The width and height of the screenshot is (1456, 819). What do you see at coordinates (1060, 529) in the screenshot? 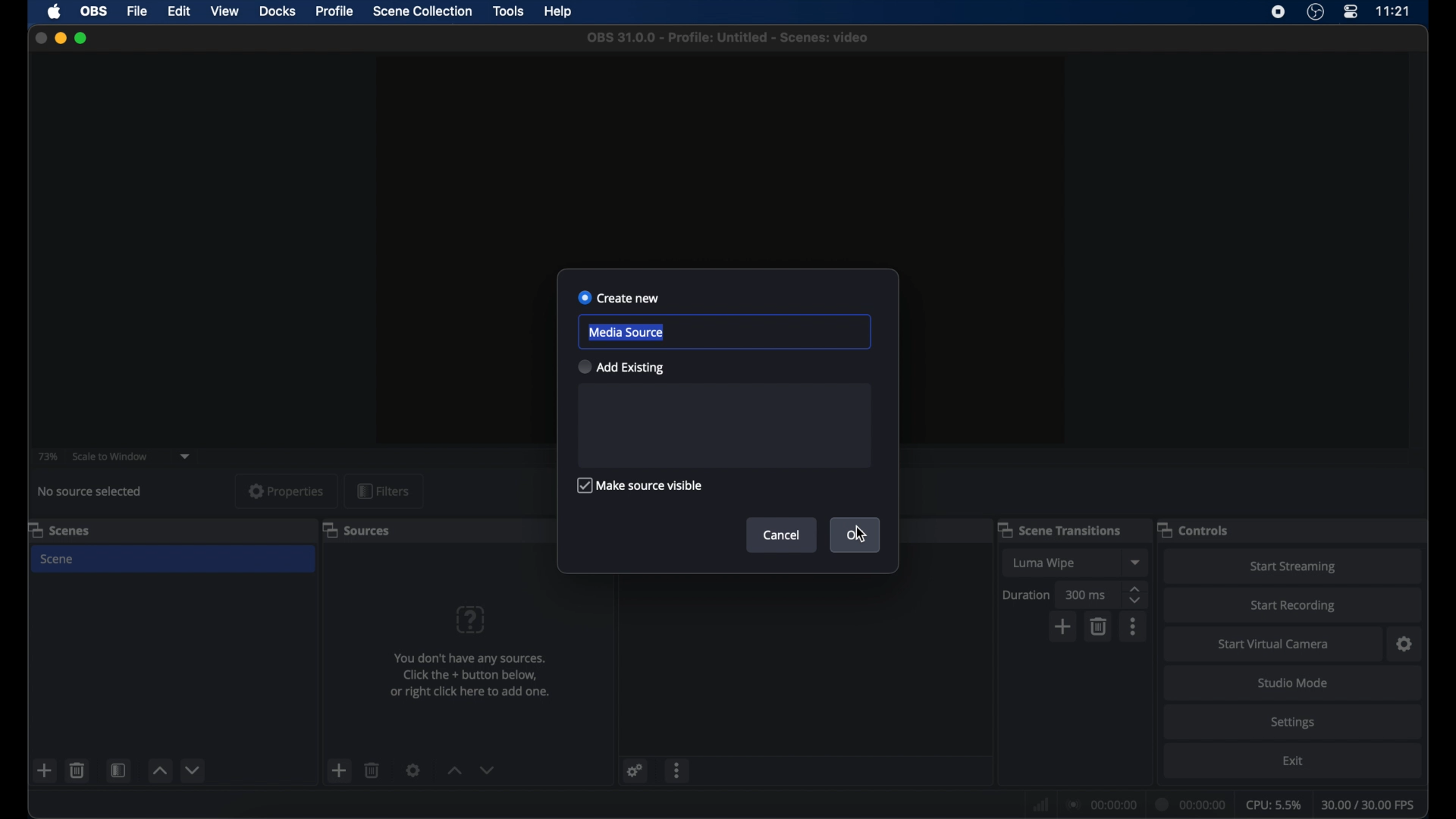
I see `scene transitions` at bounding box center [1060, 529].